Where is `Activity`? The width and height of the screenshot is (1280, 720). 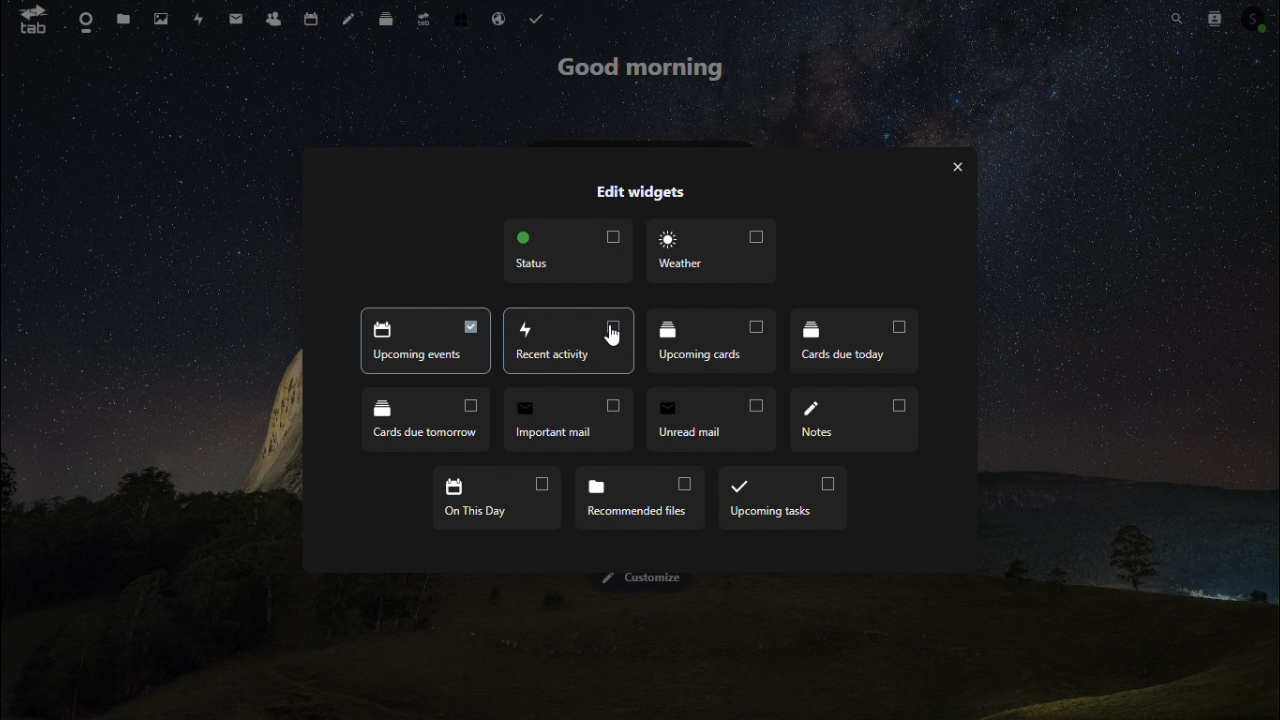
Activity is located at coordinates (197, 20).